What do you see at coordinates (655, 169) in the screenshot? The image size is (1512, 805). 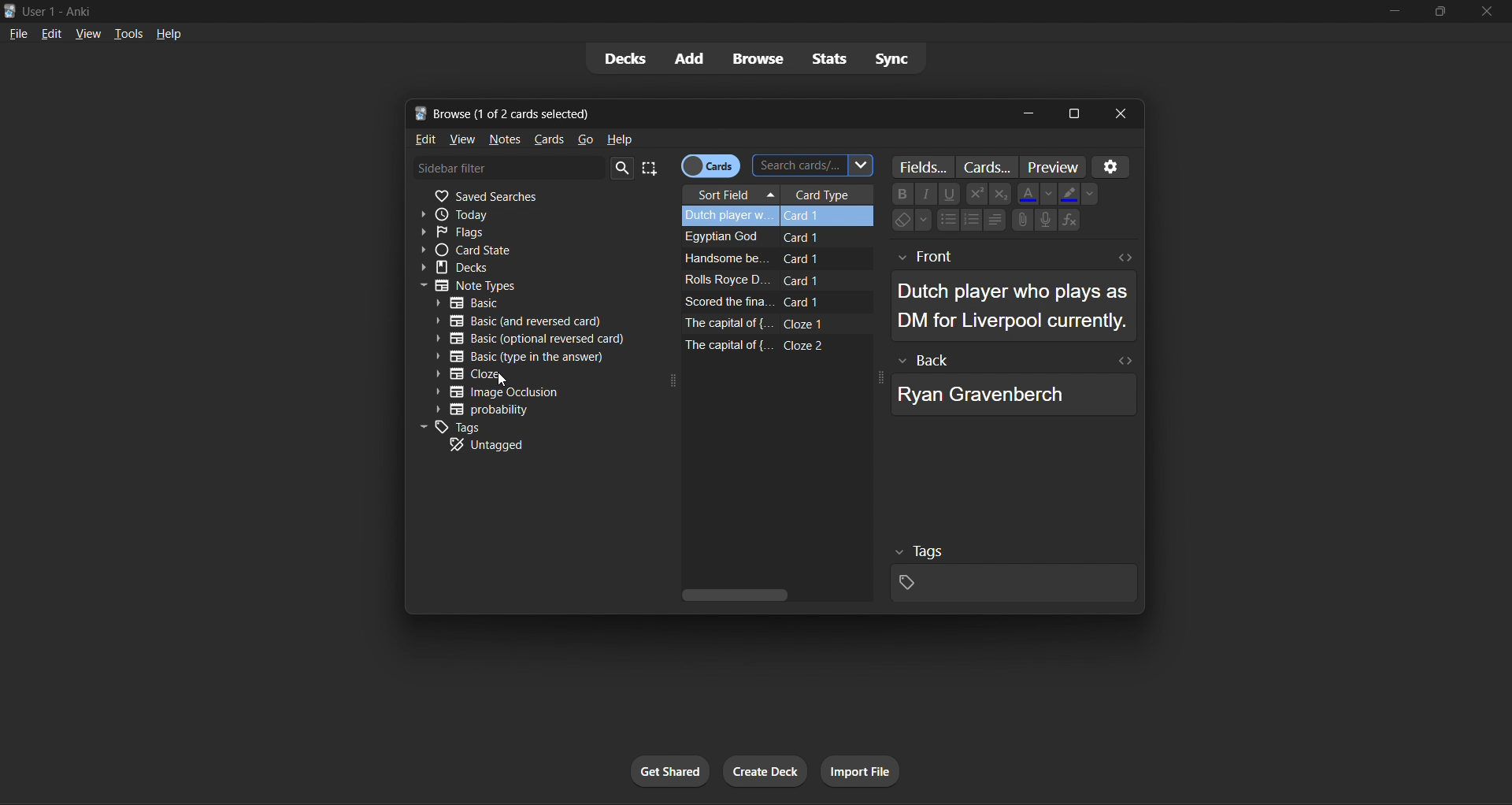 I see `select all` at bounding box center [655, 169].